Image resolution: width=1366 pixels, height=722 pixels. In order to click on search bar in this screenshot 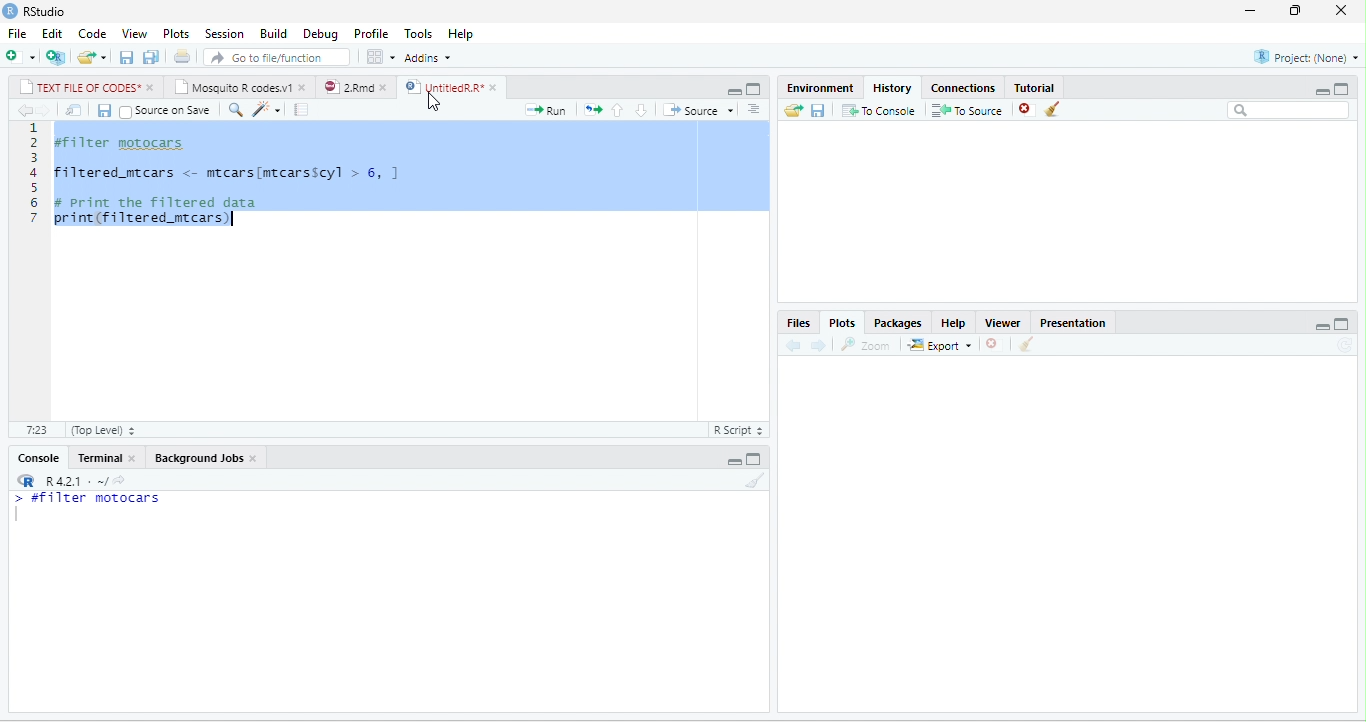, I will do `click(1288, 110)`.